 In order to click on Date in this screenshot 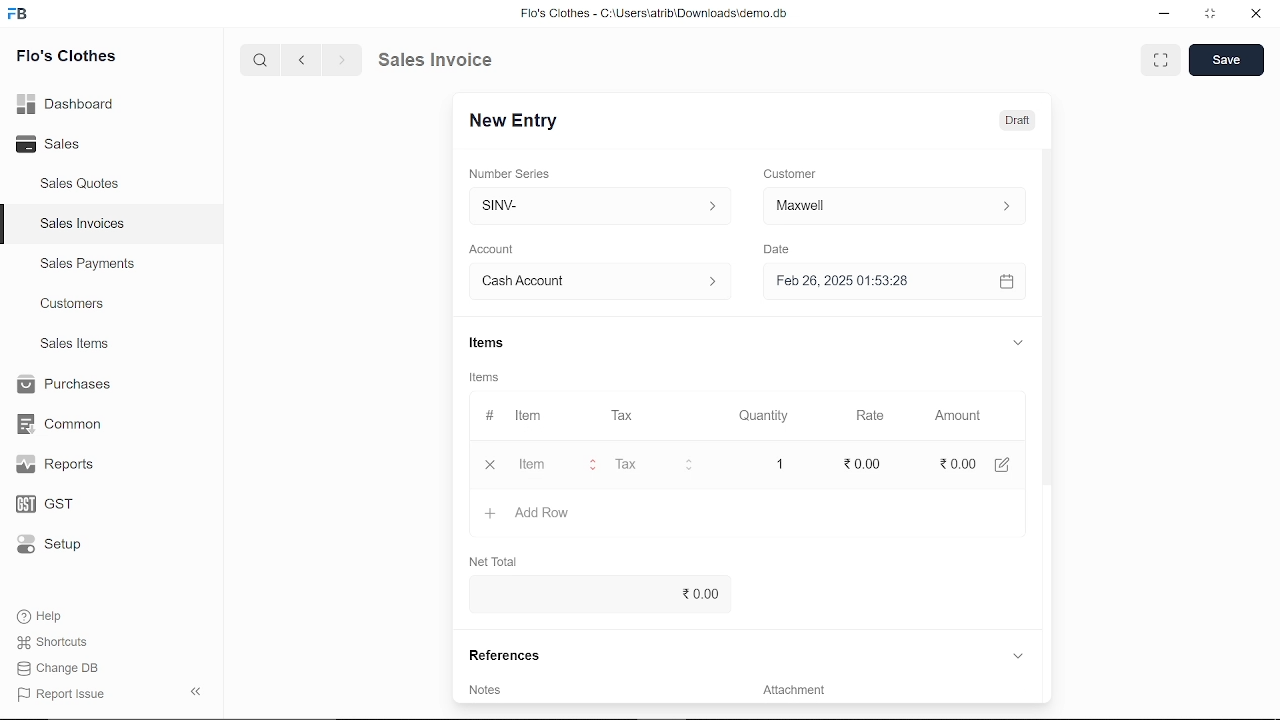, I will do `click(776, 250)`.